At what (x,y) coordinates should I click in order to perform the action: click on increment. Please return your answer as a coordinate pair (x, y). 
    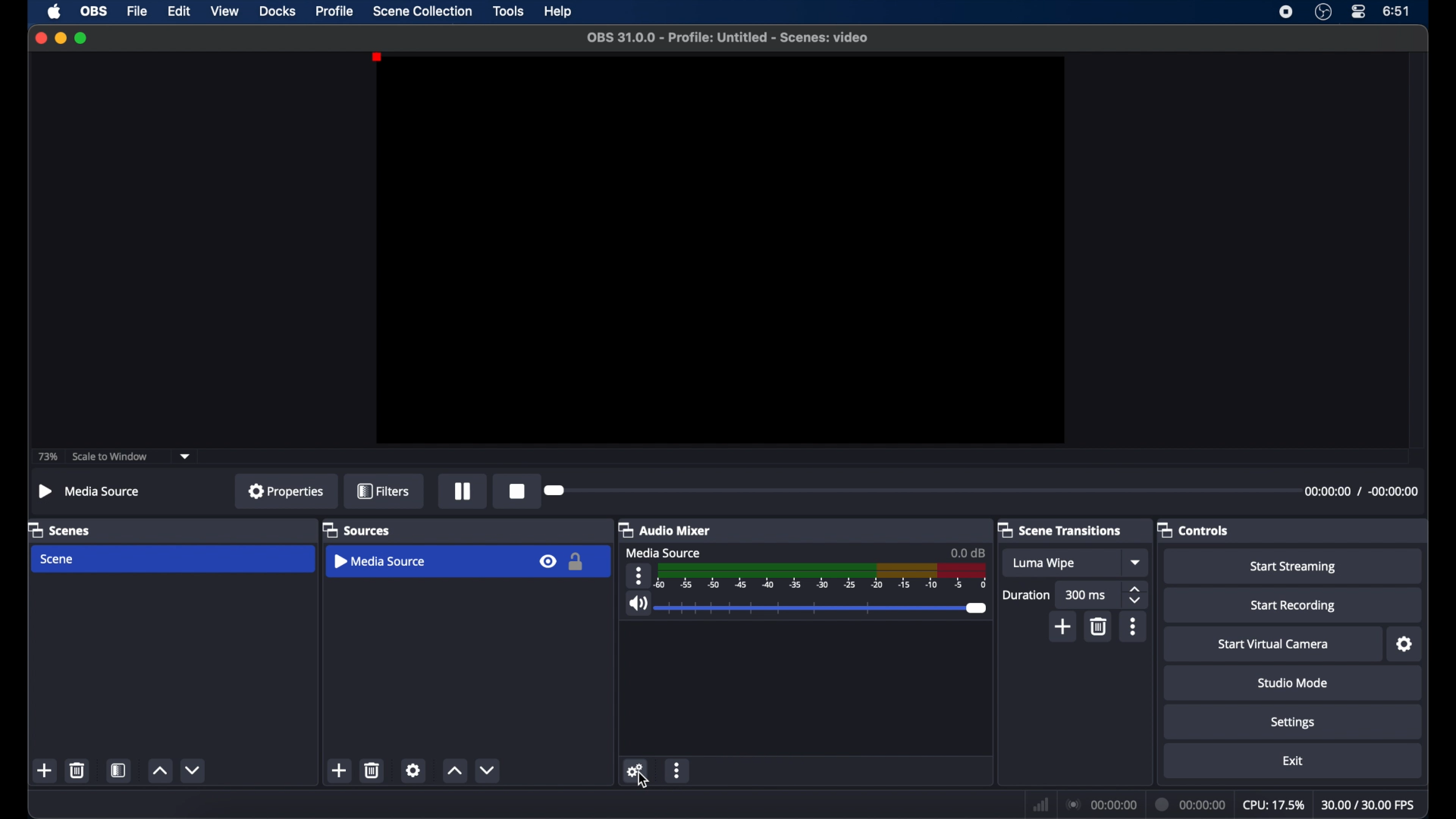
    Looking at the image, I should click on (159, 770).